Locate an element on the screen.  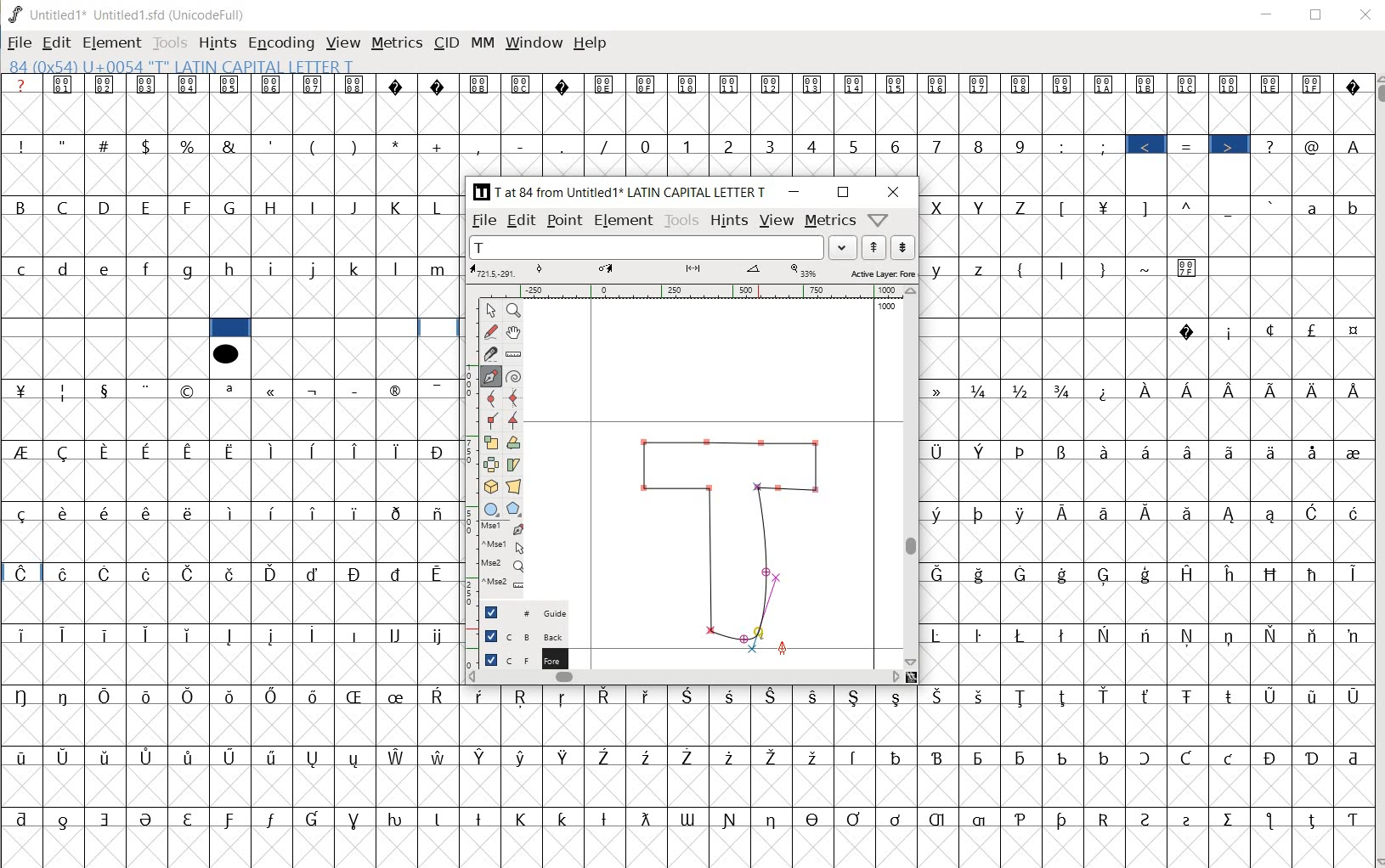
minimize is located at coordinates (794, 192).